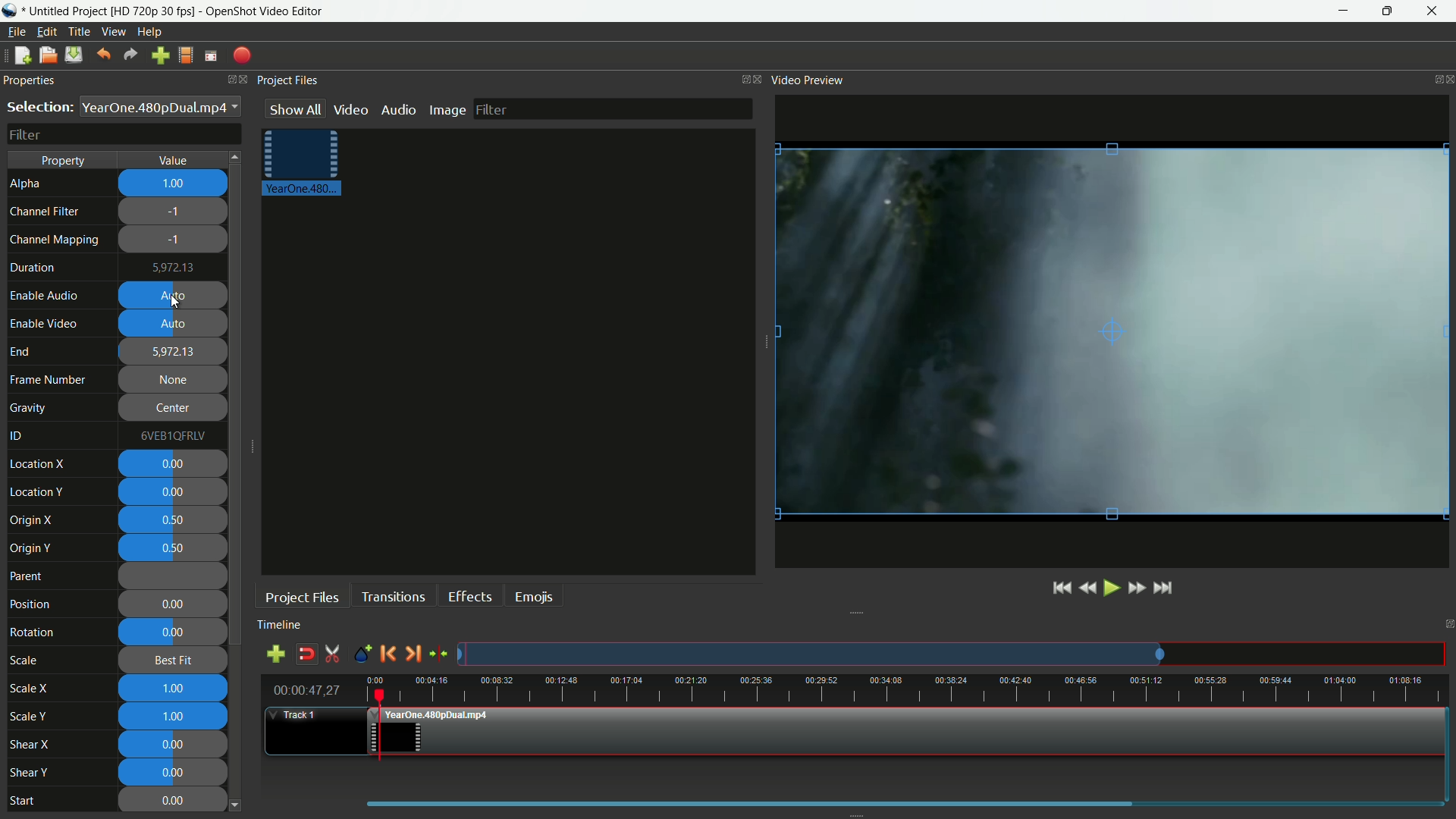  Describe the element at coordinates (956, 652) in the screenshot. I see `tracks preview` at that location.